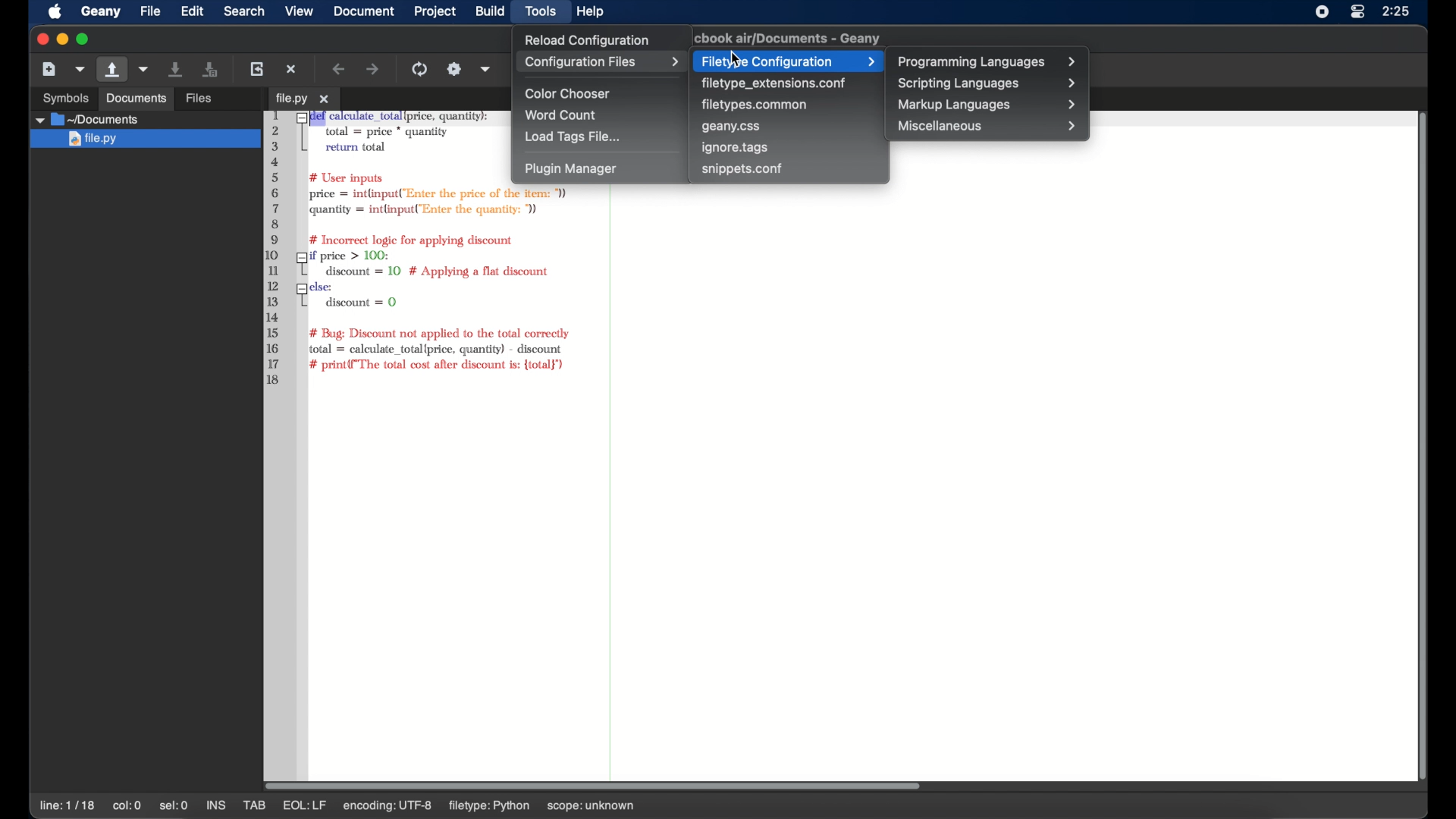 Image resolution: width=1456 pixels, height=819 pixels. Describe the element at coordinates (217, 805) in the screenshot. I see `ins` at that location.